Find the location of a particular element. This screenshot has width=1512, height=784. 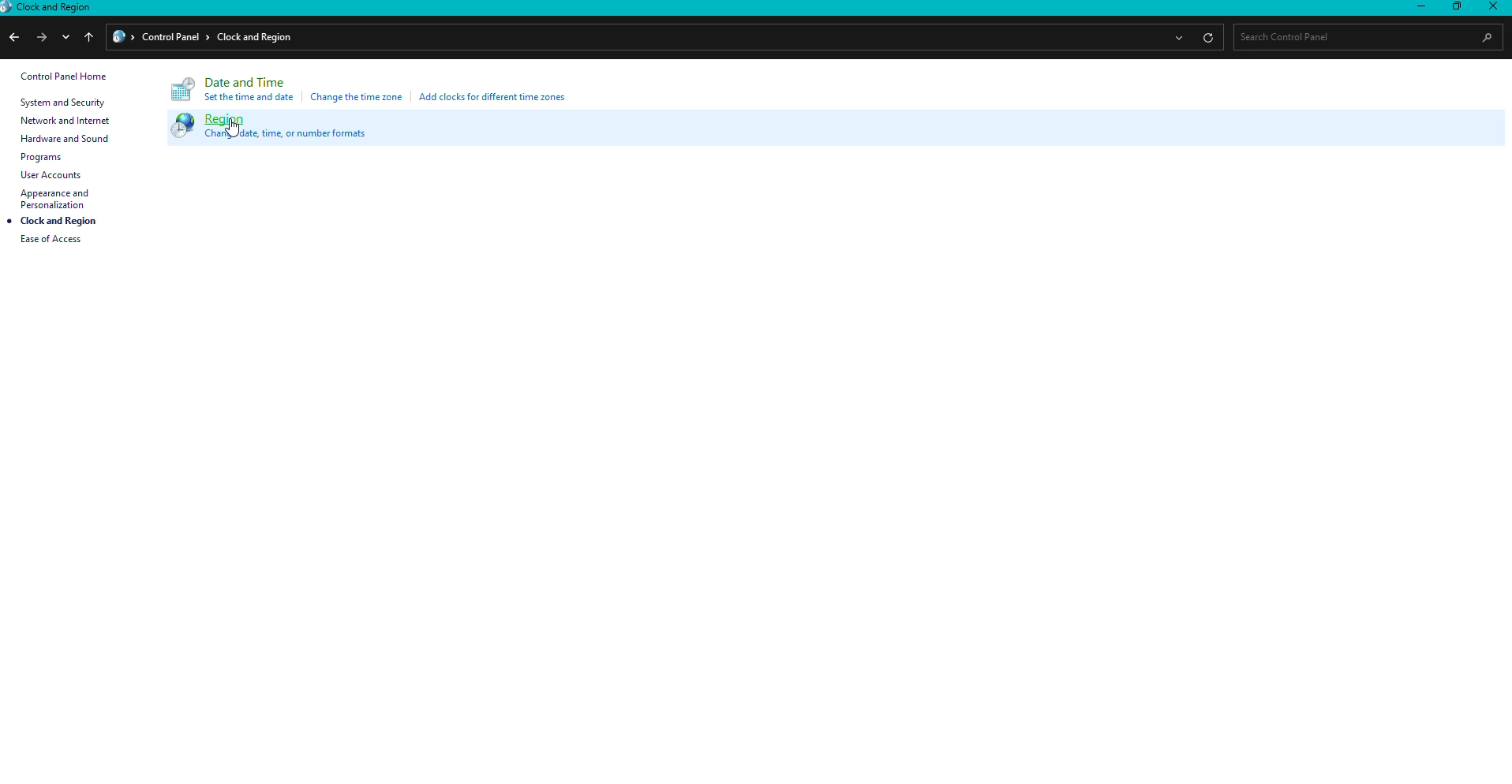

Clock and region is located at coordinates (51, 9).